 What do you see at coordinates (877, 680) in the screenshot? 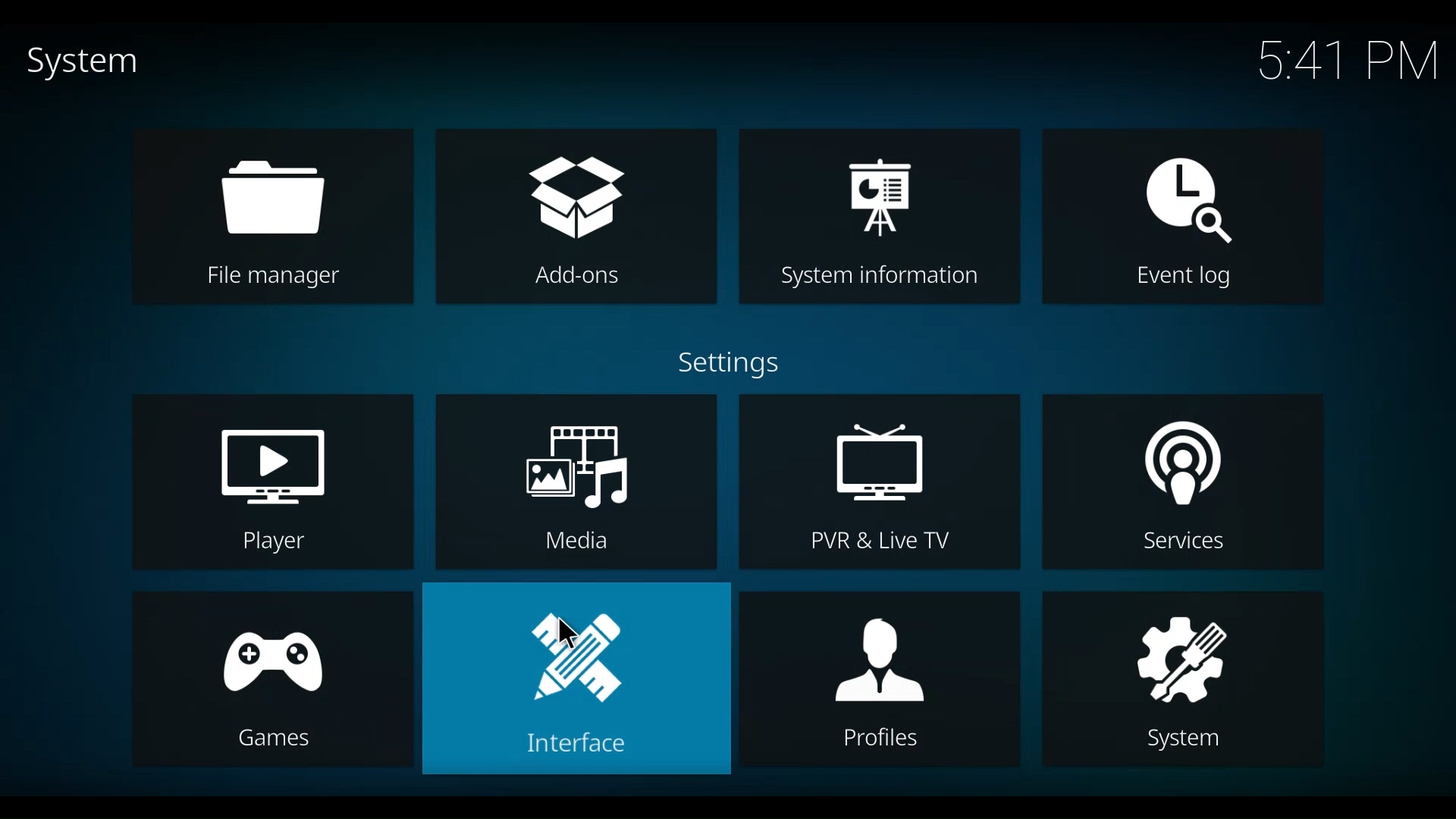
I see `Profiles` at bounding box center [877, 680].